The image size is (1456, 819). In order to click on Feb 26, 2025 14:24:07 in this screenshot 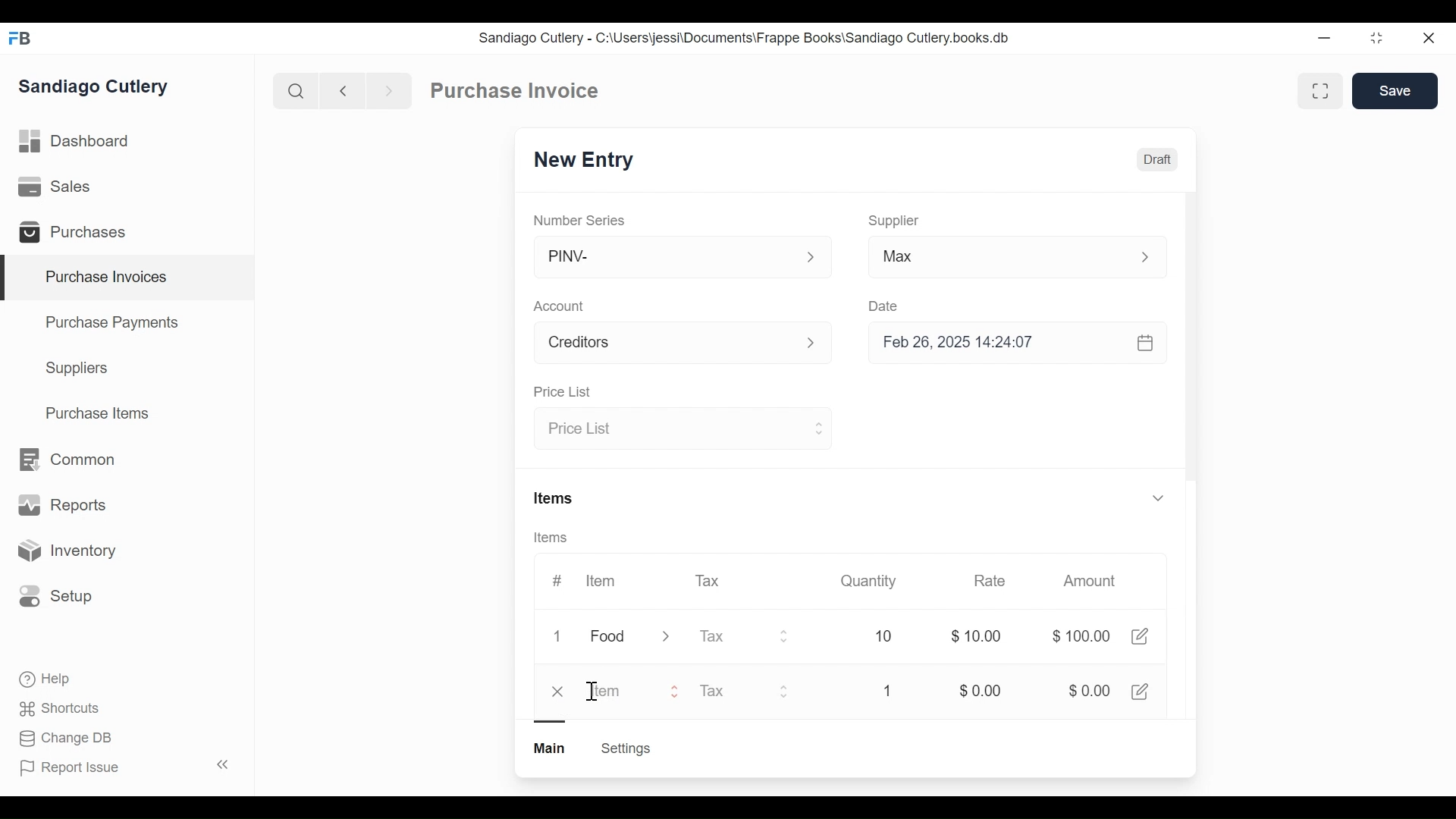, I will do `click(1009, 343)`.